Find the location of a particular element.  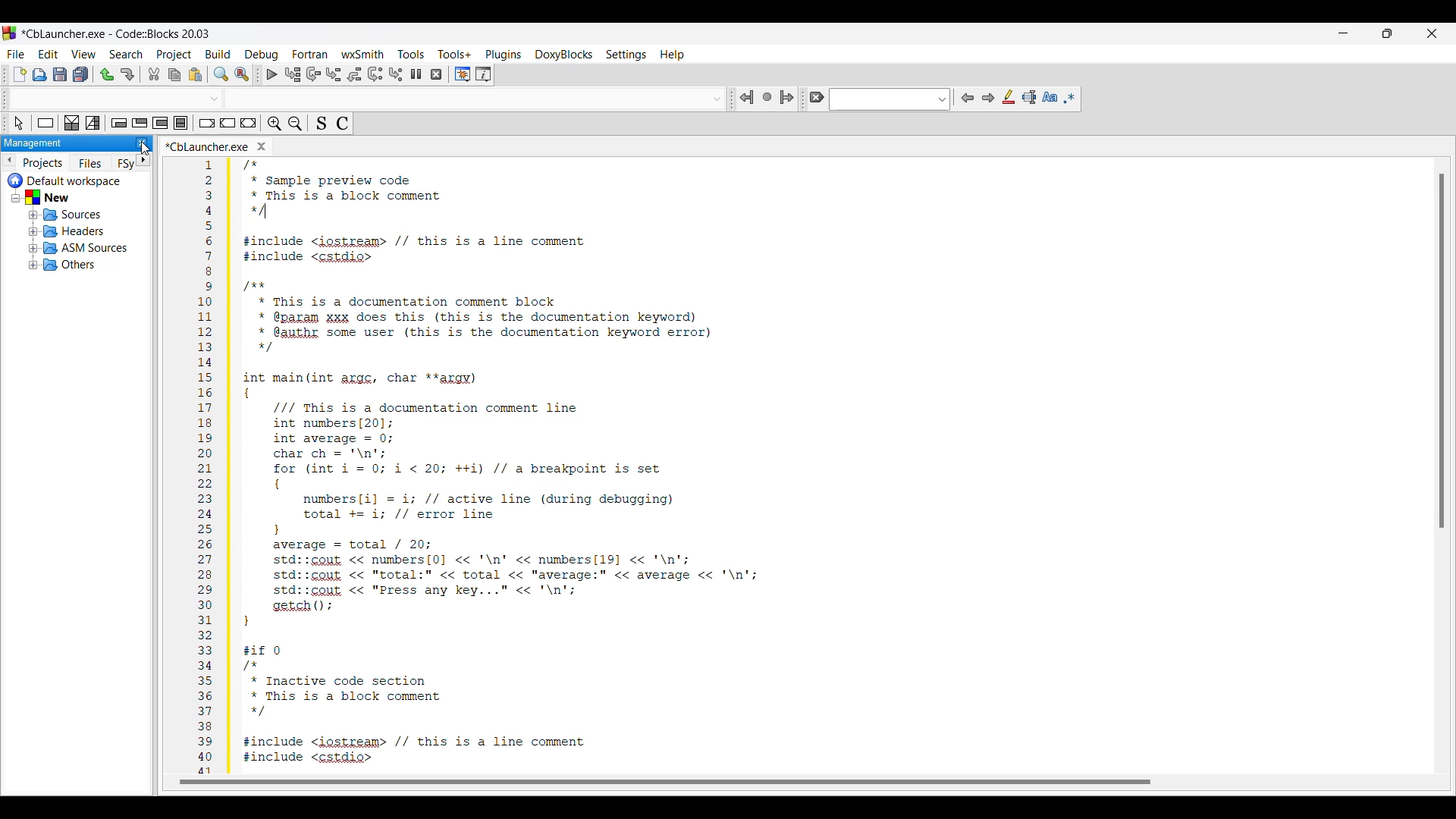

Continue instruction is located at coordinates (227, 123).